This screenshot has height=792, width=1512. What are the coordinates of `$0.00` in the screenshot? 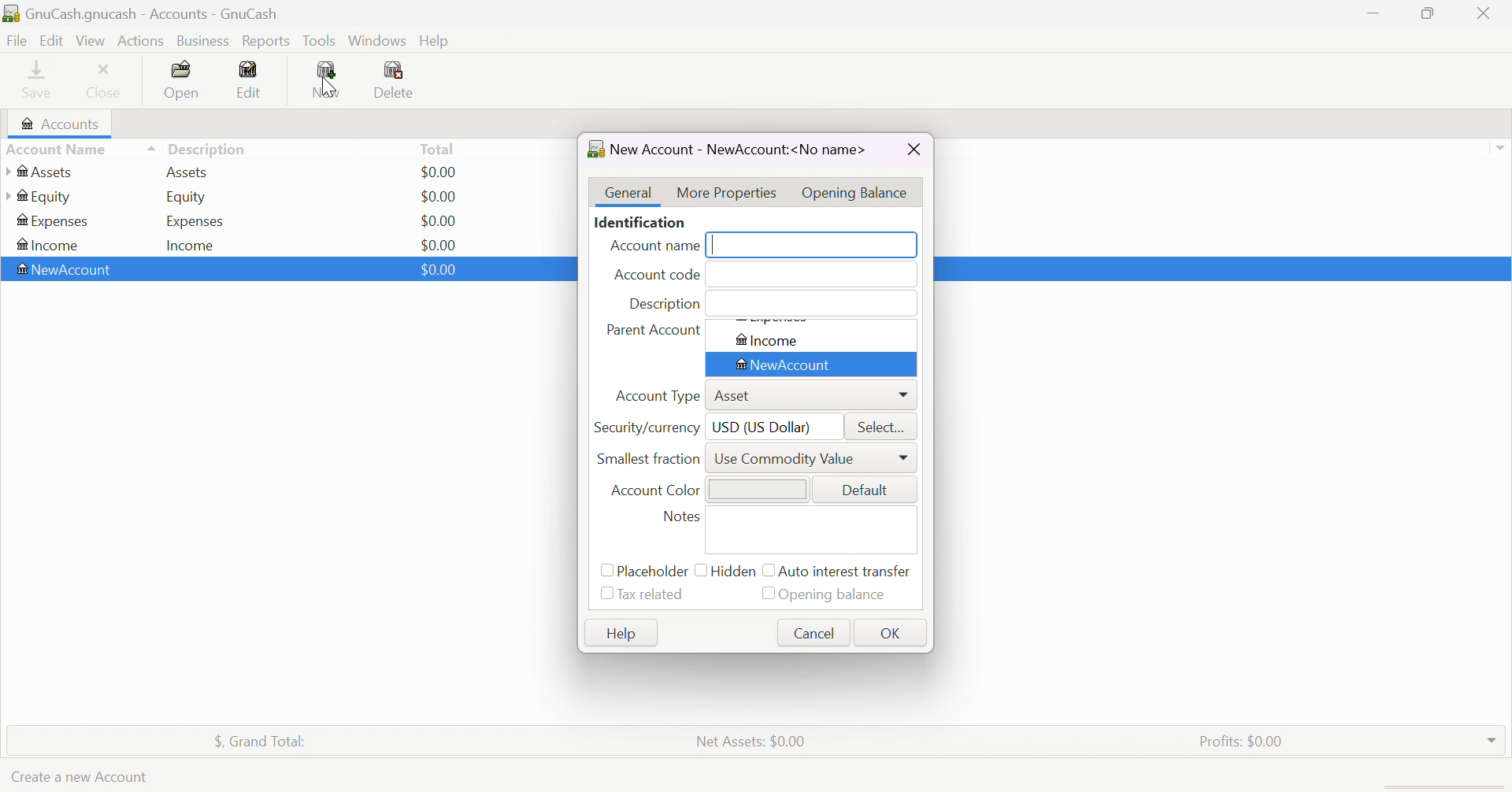 It's located at (445, 172).